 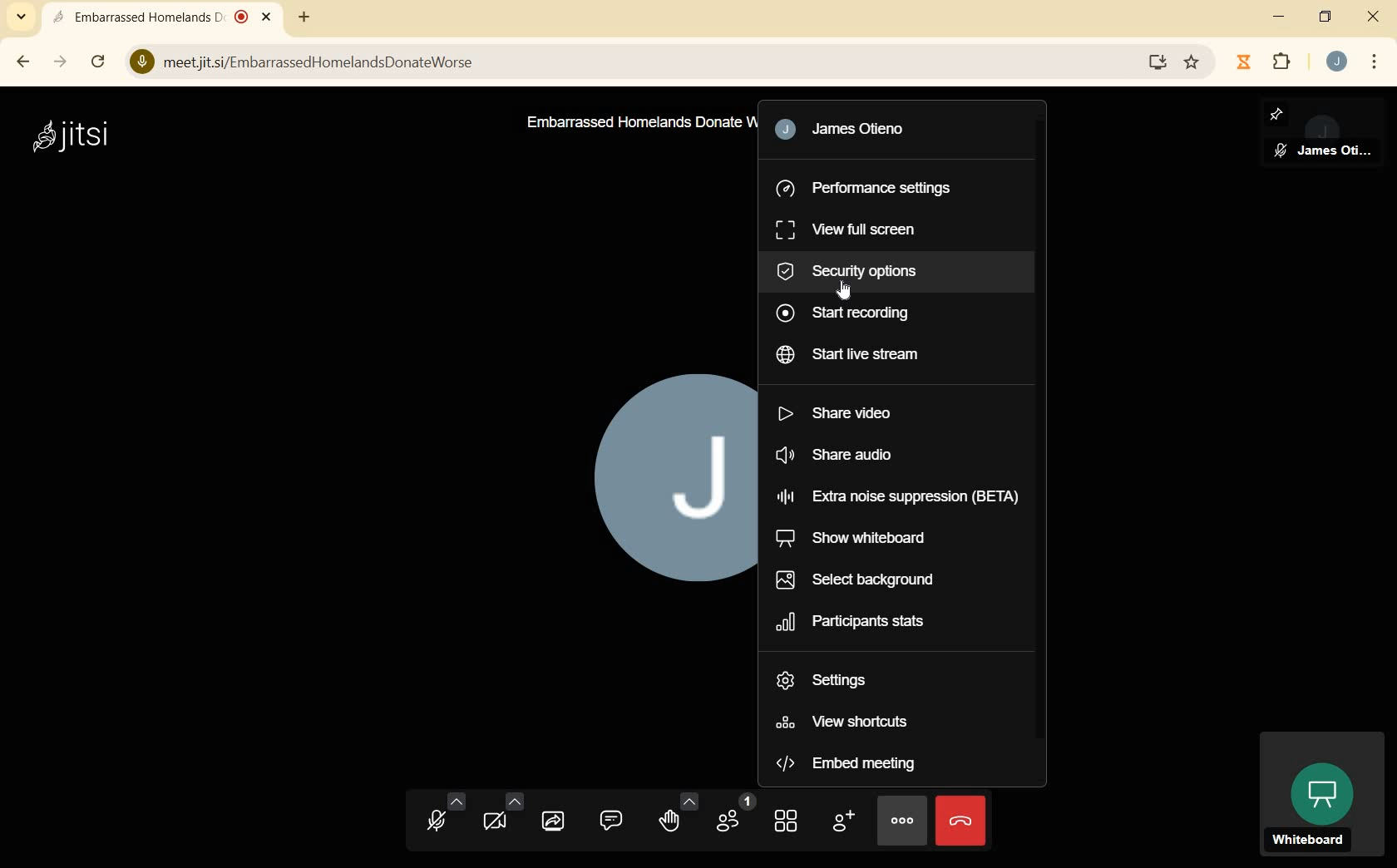 I want to click on extensions, so click(x=1286, y=63).